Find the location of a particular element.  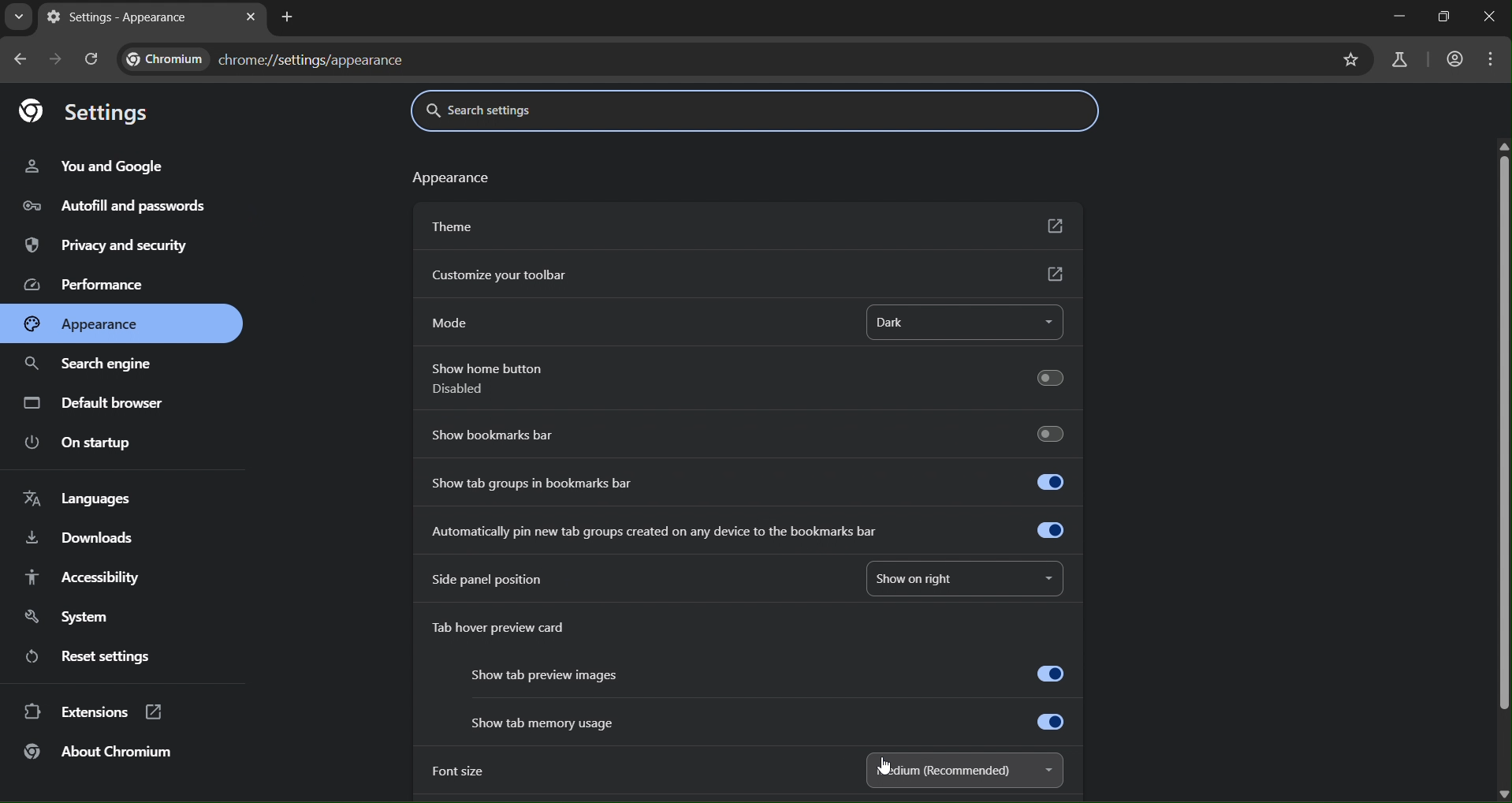

show tab preview images is located at coordinates (762, 670).